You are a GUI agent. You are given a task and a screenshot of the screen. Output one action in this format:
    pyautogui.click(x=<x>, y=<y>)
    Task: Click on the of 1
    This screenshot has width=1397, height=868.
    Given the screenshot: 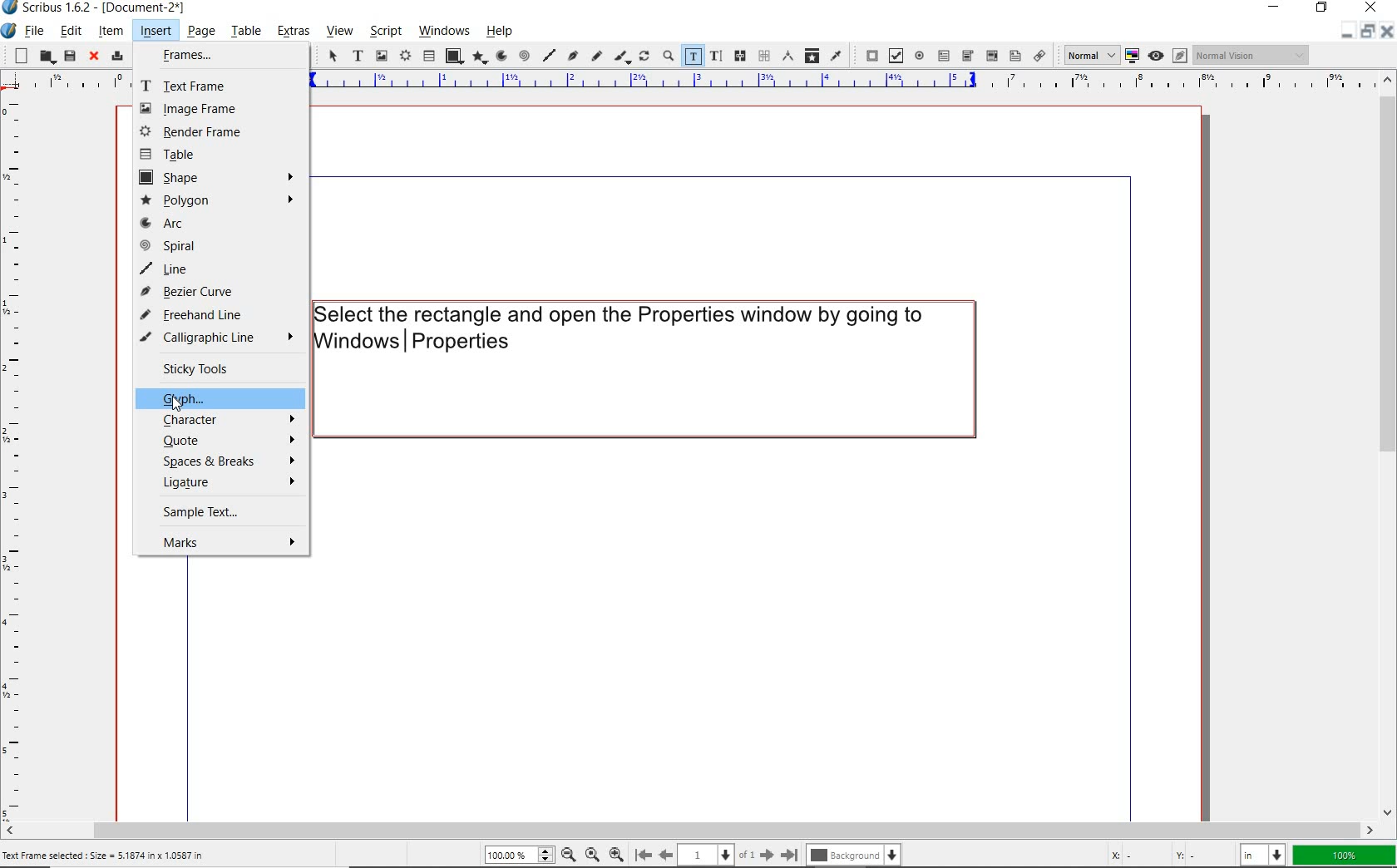 What is the action you would take?
    pyautogui.click(x=747, y=854)
    